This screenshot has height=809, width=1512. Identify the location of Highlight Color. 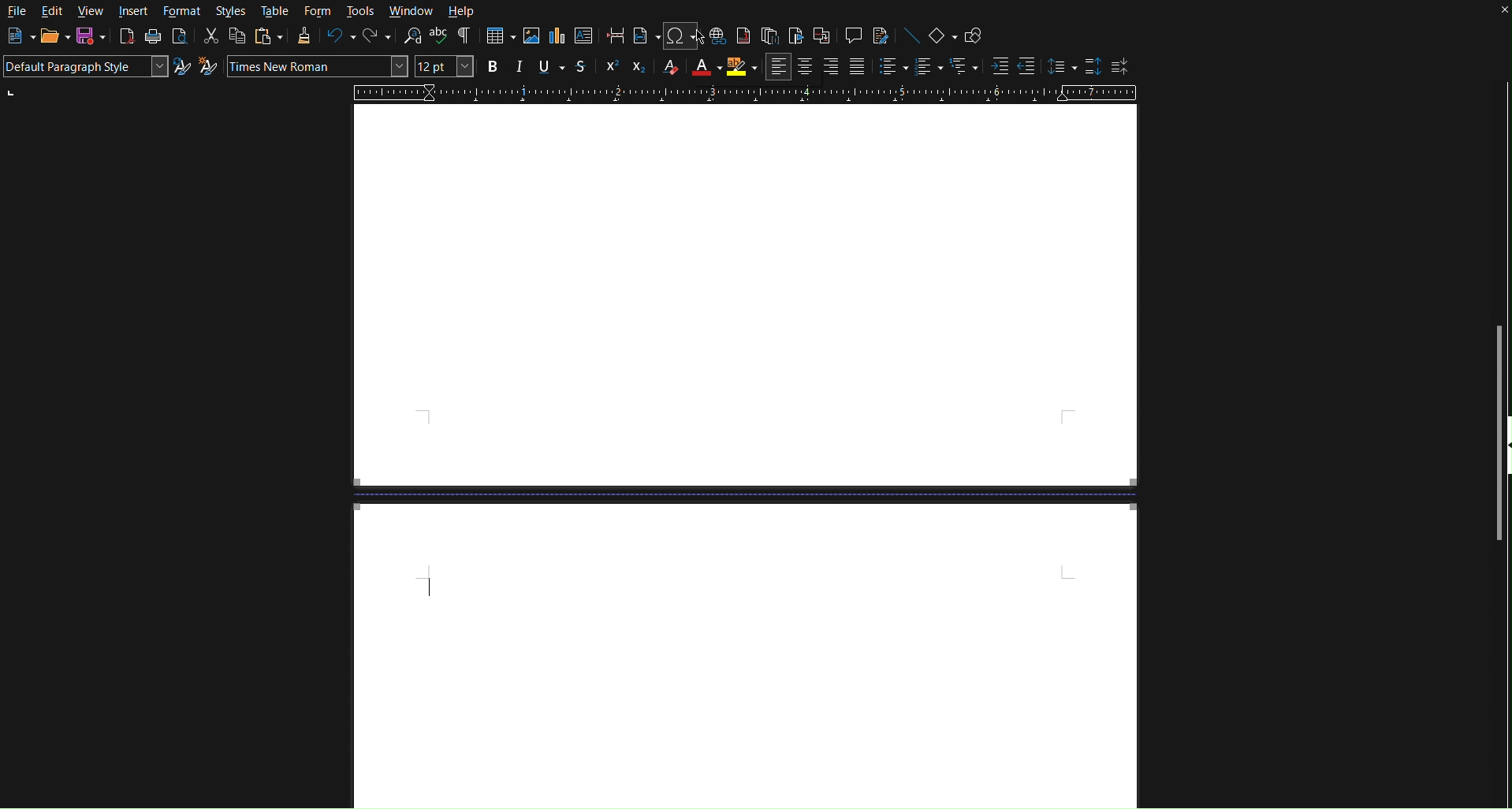
(742, 67).